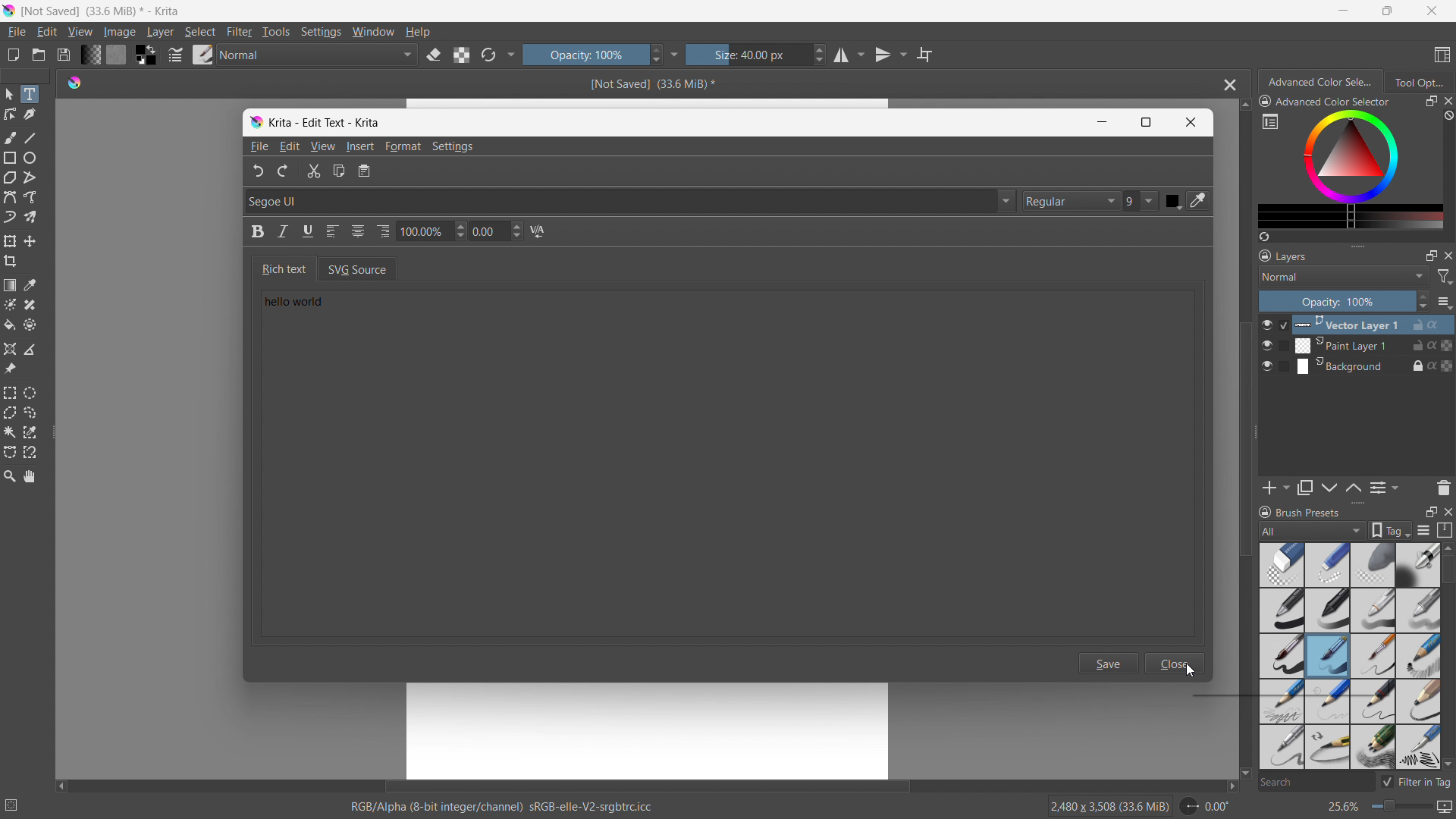 Image resolution: width=1456 pixels, height=819 pixels. Describe the element at coordinates (384, 228) in the screenshot. I see `Right align` at that location.